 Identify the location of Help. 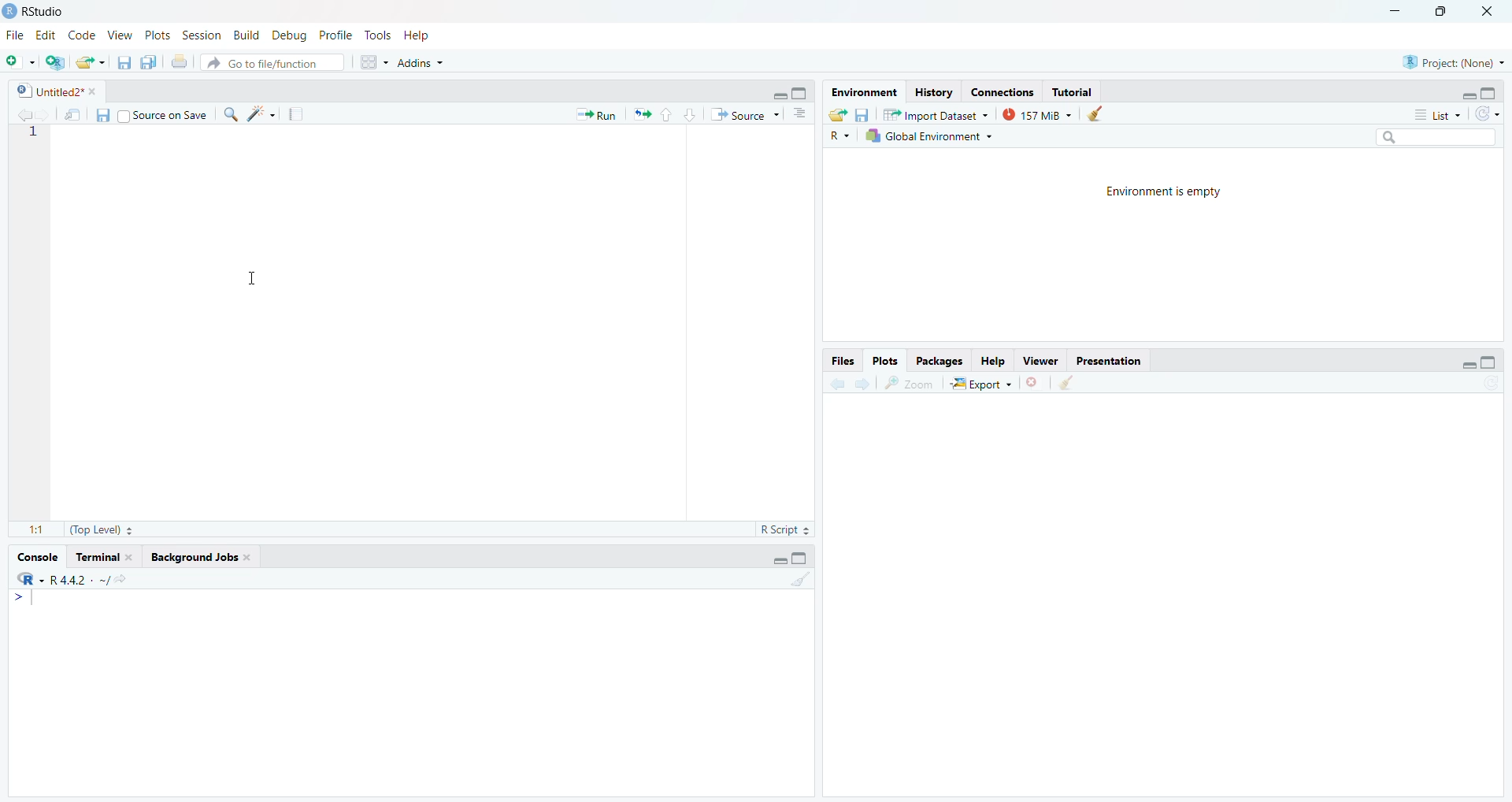
(994, 360).